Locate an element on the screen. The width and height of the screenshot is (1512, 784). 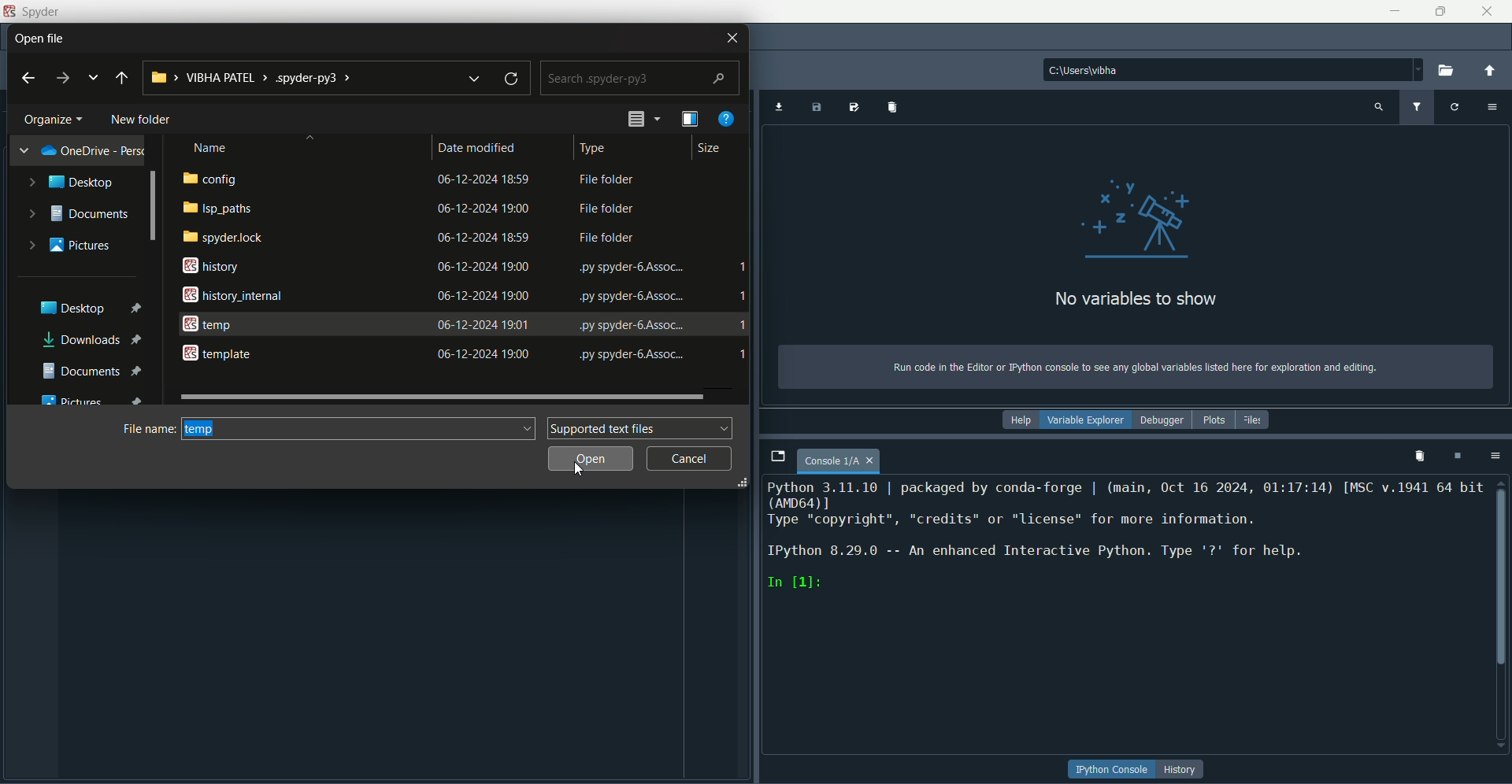
remove is located at coordinates (1421, 457).